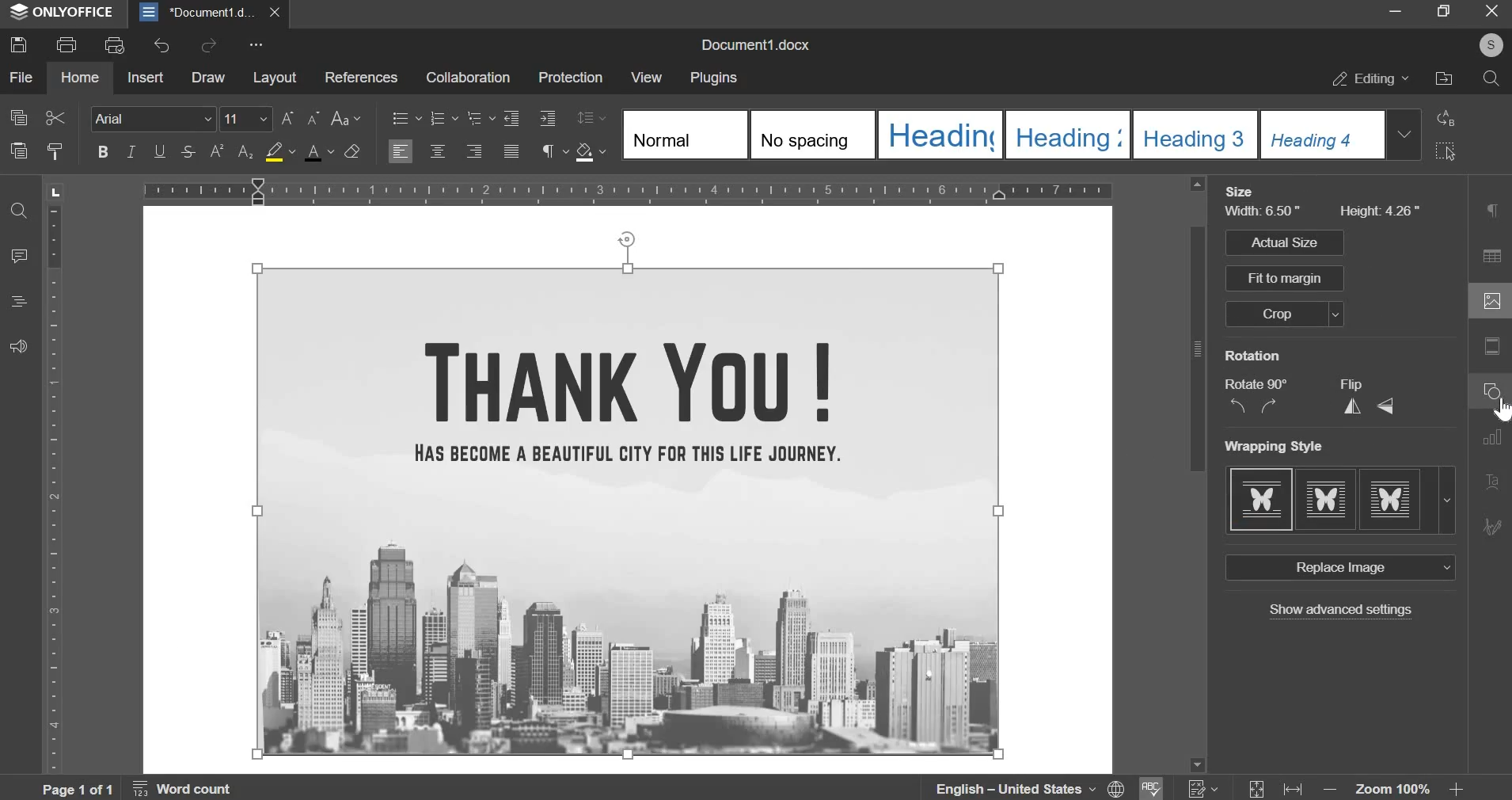 The height and width of the screenshot is (800, 1512). Describe the element at coordinates (57, 150) in the screenshot. I see `clear style` at that location.